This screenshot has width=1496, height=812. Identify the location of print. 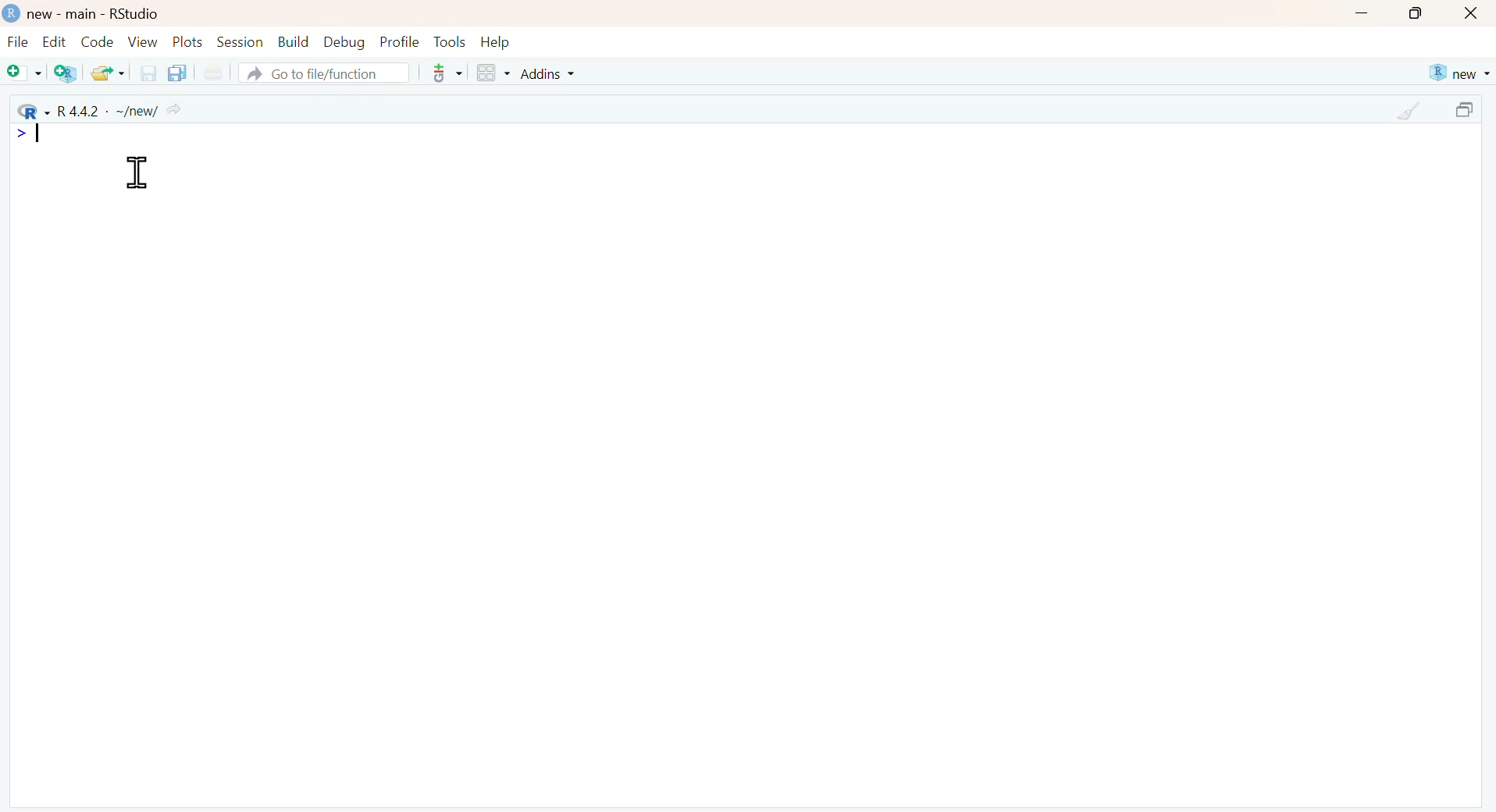
(212, 73).